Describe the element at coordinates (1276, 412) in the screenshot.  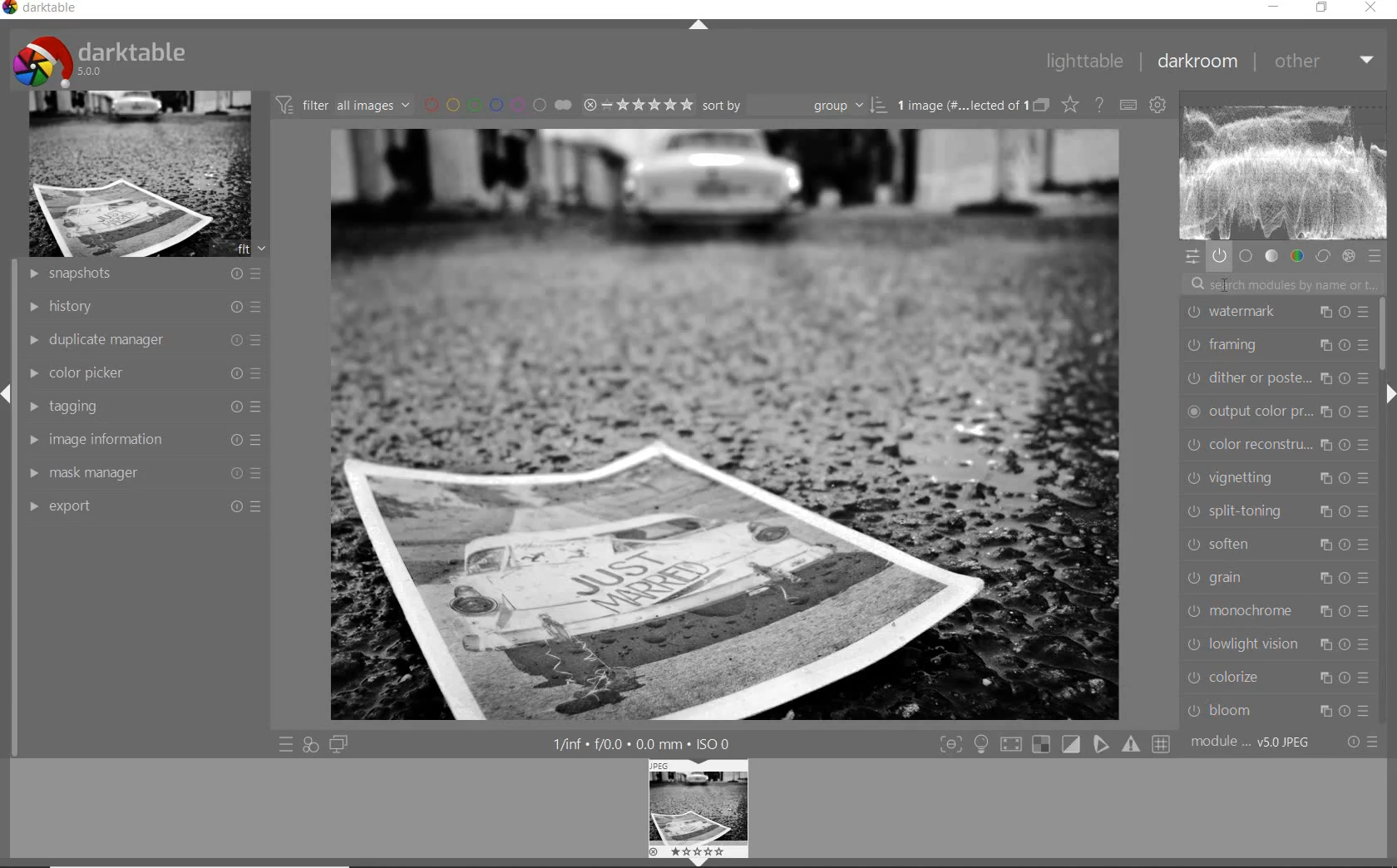
I see `output color preset` at that location.